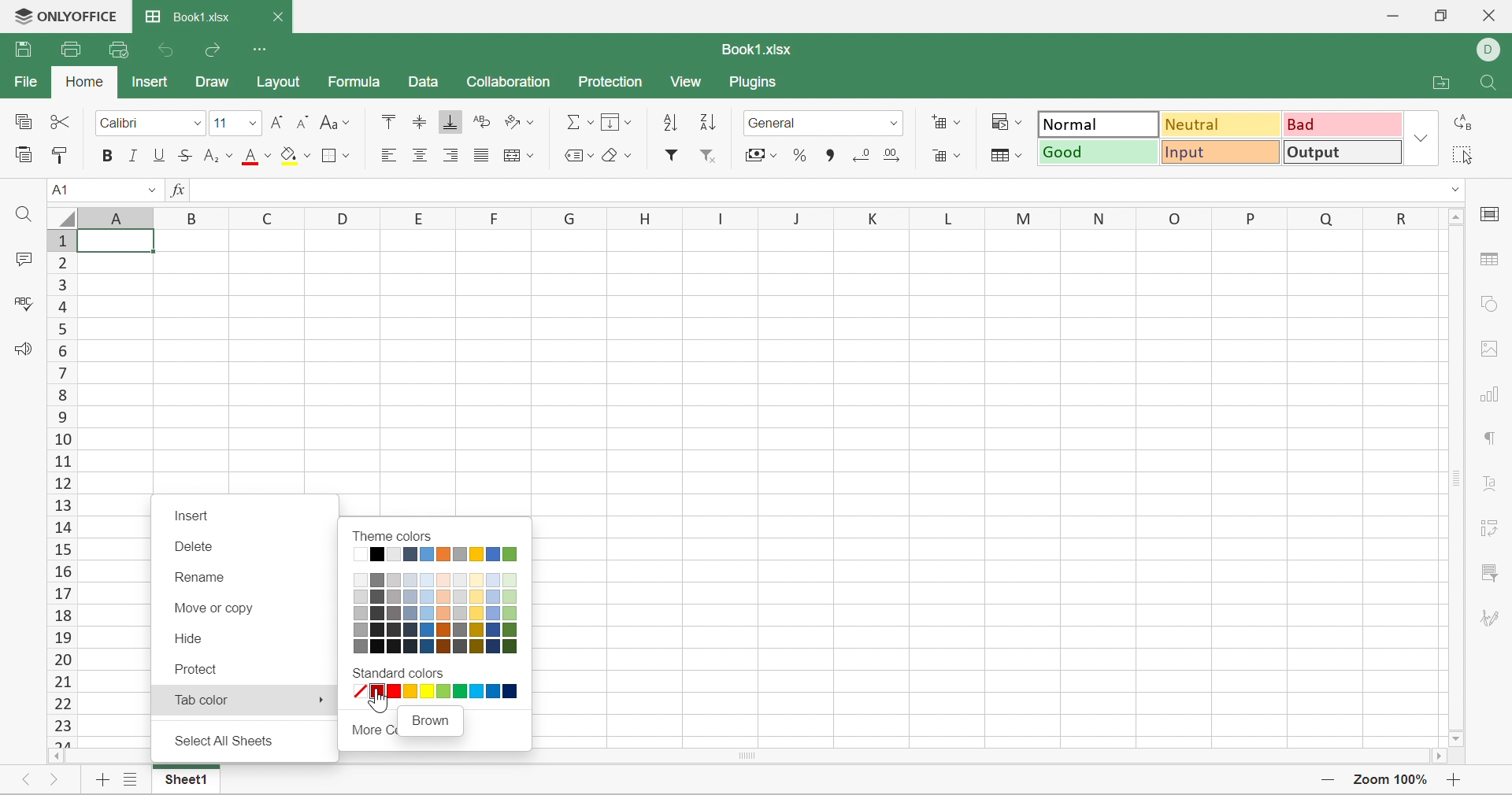 This screenshot has height=795, width=1512. I want to click on Format as table template, so click(1006, 155).